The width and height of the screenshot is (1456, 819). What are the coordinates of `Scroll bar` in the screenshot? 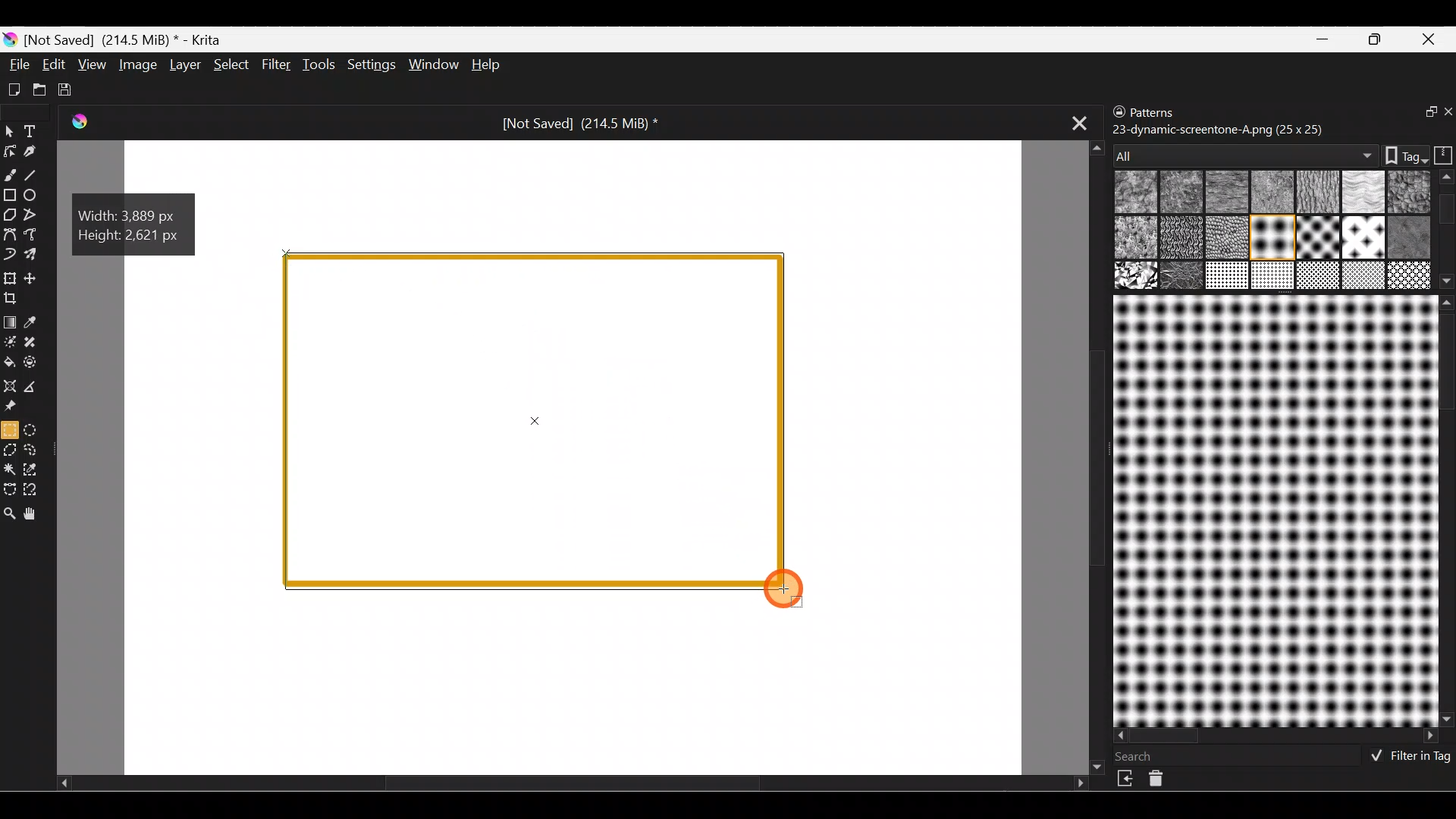 It's located at (1447, 230).